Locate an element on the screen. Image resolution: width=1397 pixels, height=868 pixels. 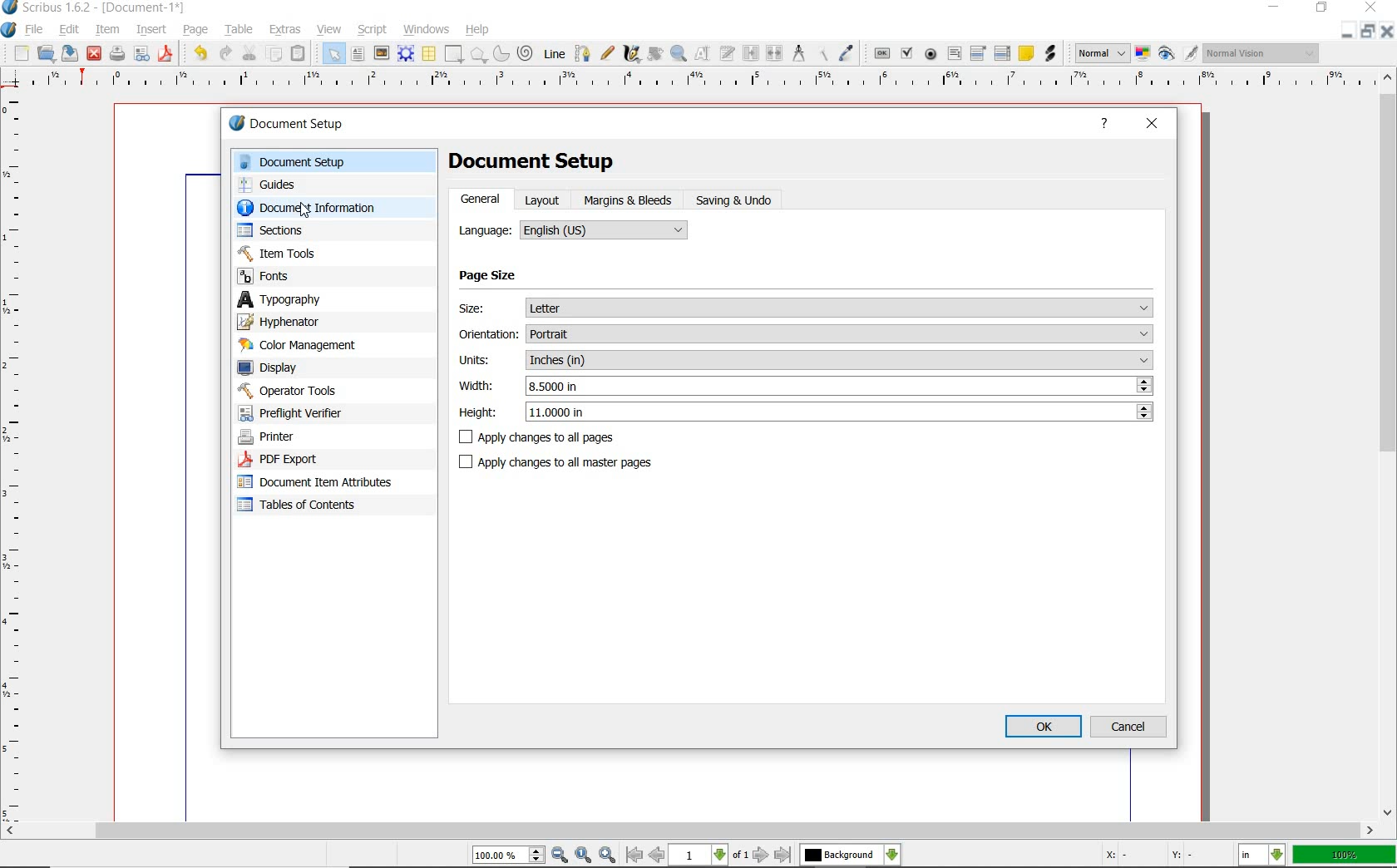
move to next or previous page is located at coordinates (710, 856).